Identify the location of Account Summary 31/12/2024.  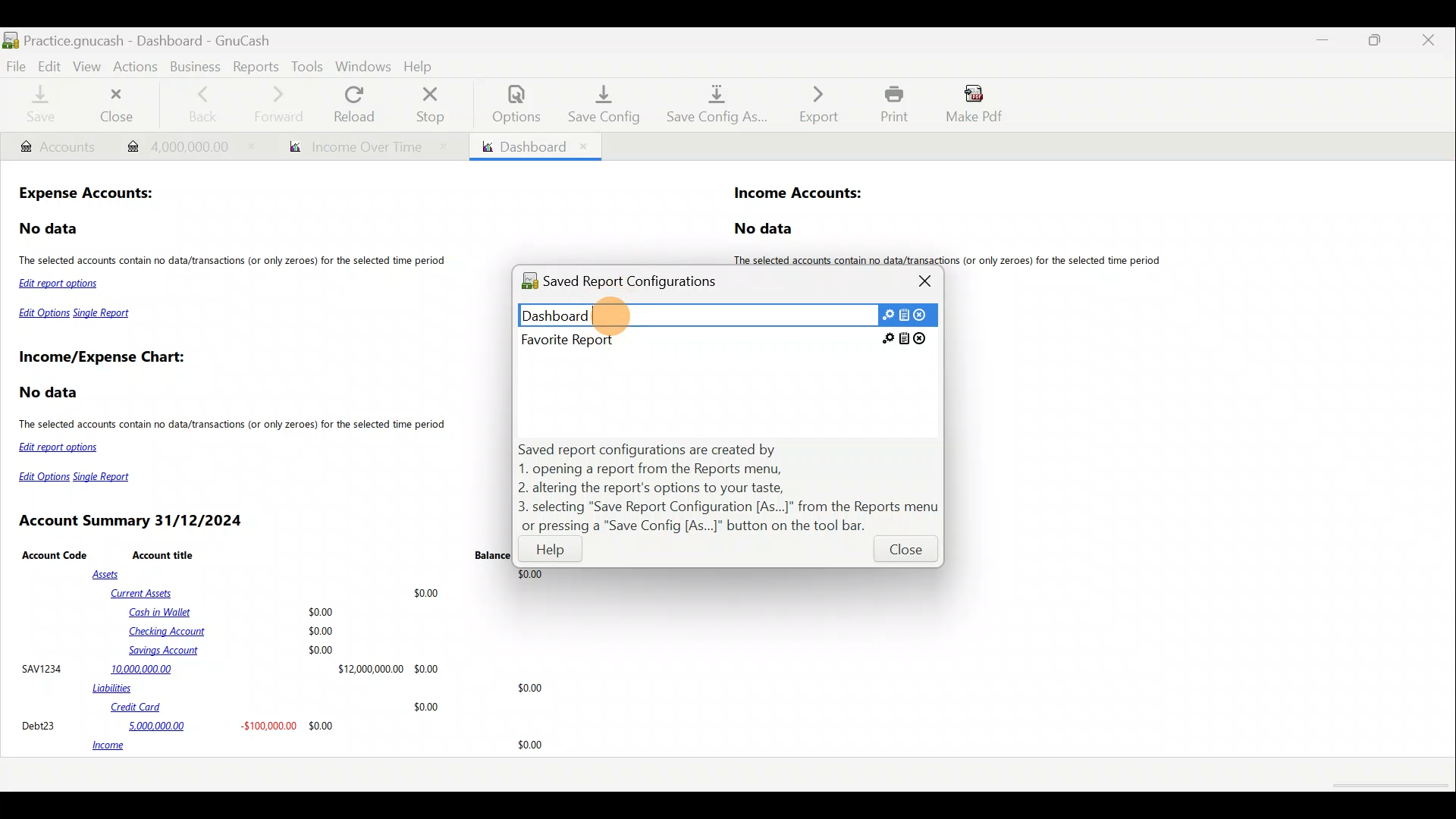
(133, 521).